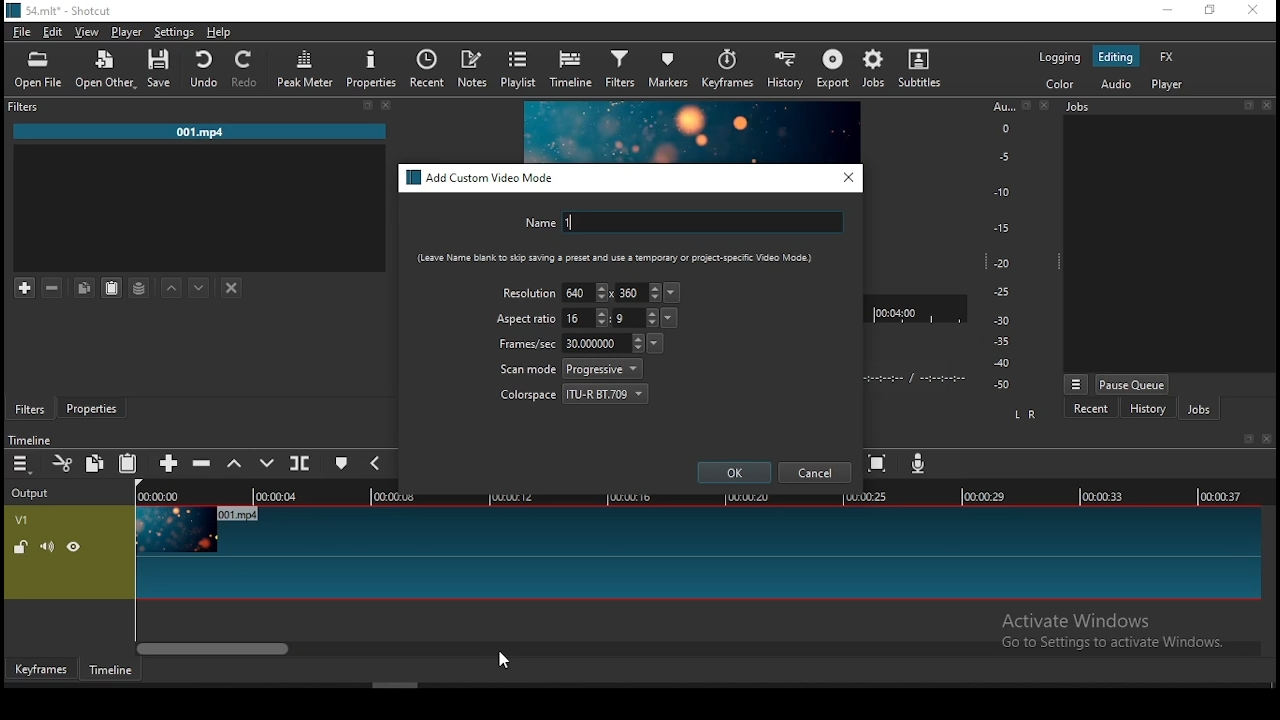 Image resolution: width=1280 pixels, height=720 pixels. Describe the element at coordinates (1224, 496) in the screenshot. I see `00:00:37` at that location.